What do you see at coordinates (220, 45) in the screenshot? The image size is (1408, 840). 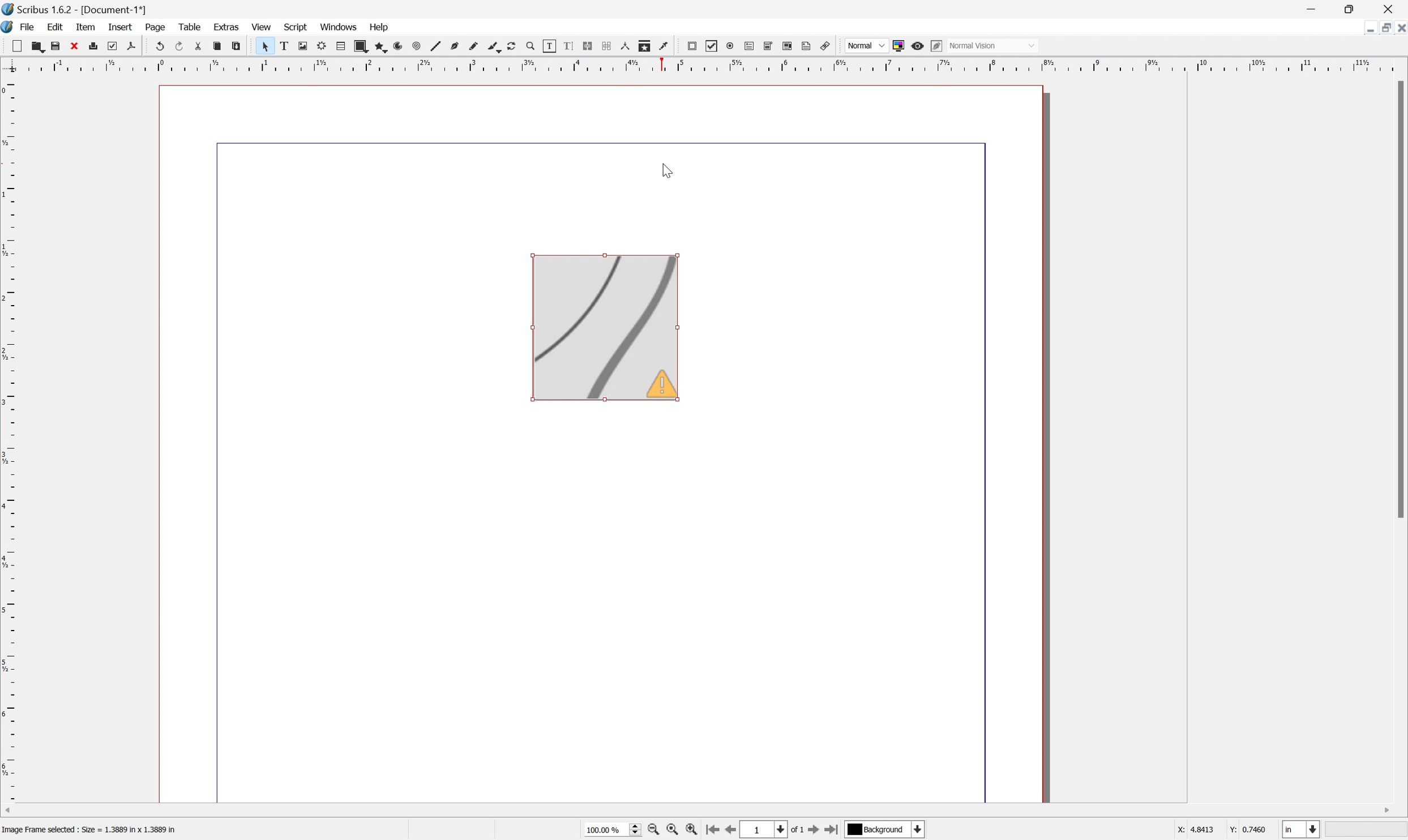 I see `Copy` at bounding box center [220, 45].